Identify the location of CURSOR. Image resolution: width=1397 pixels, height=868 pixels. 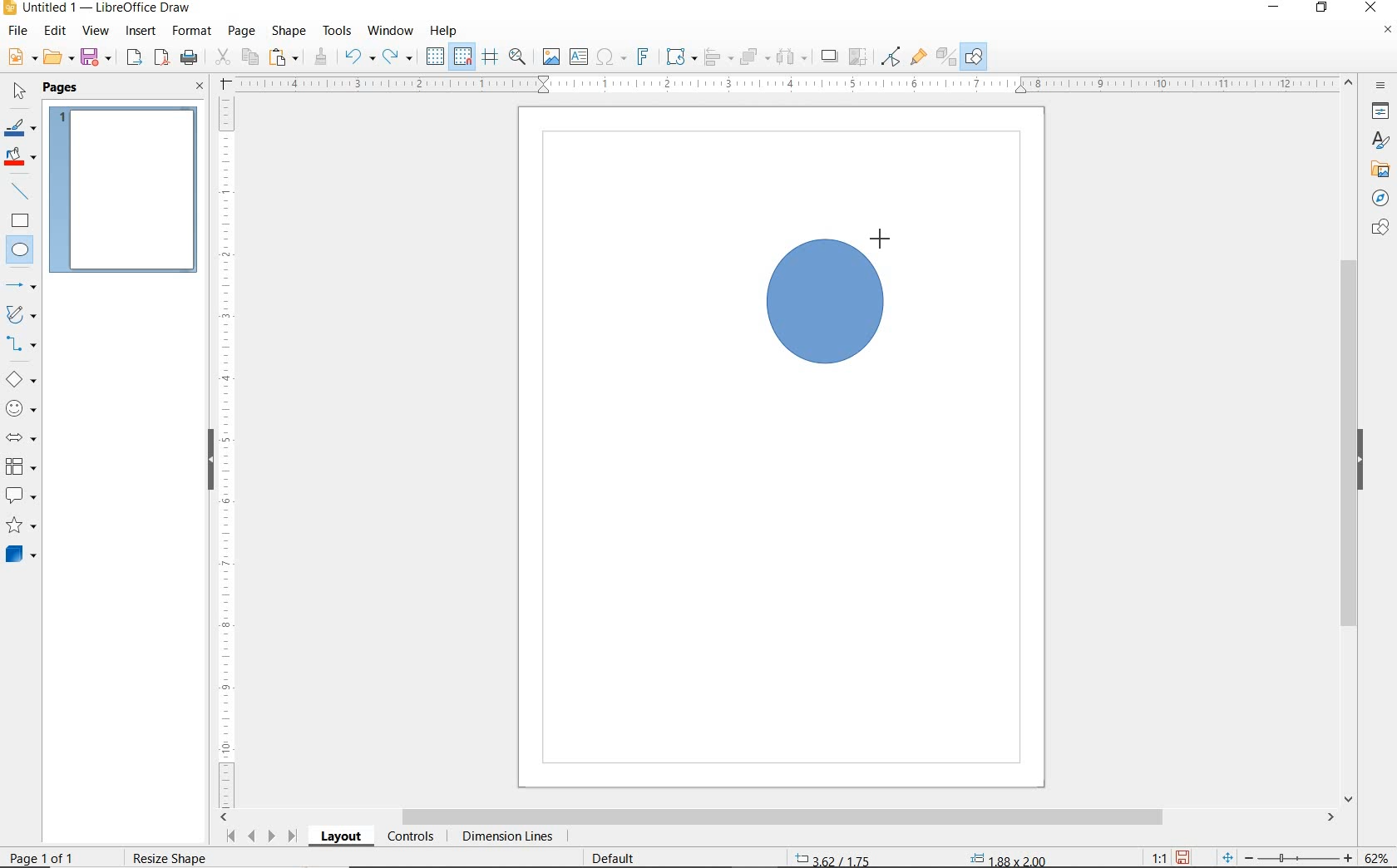
(36, 263).